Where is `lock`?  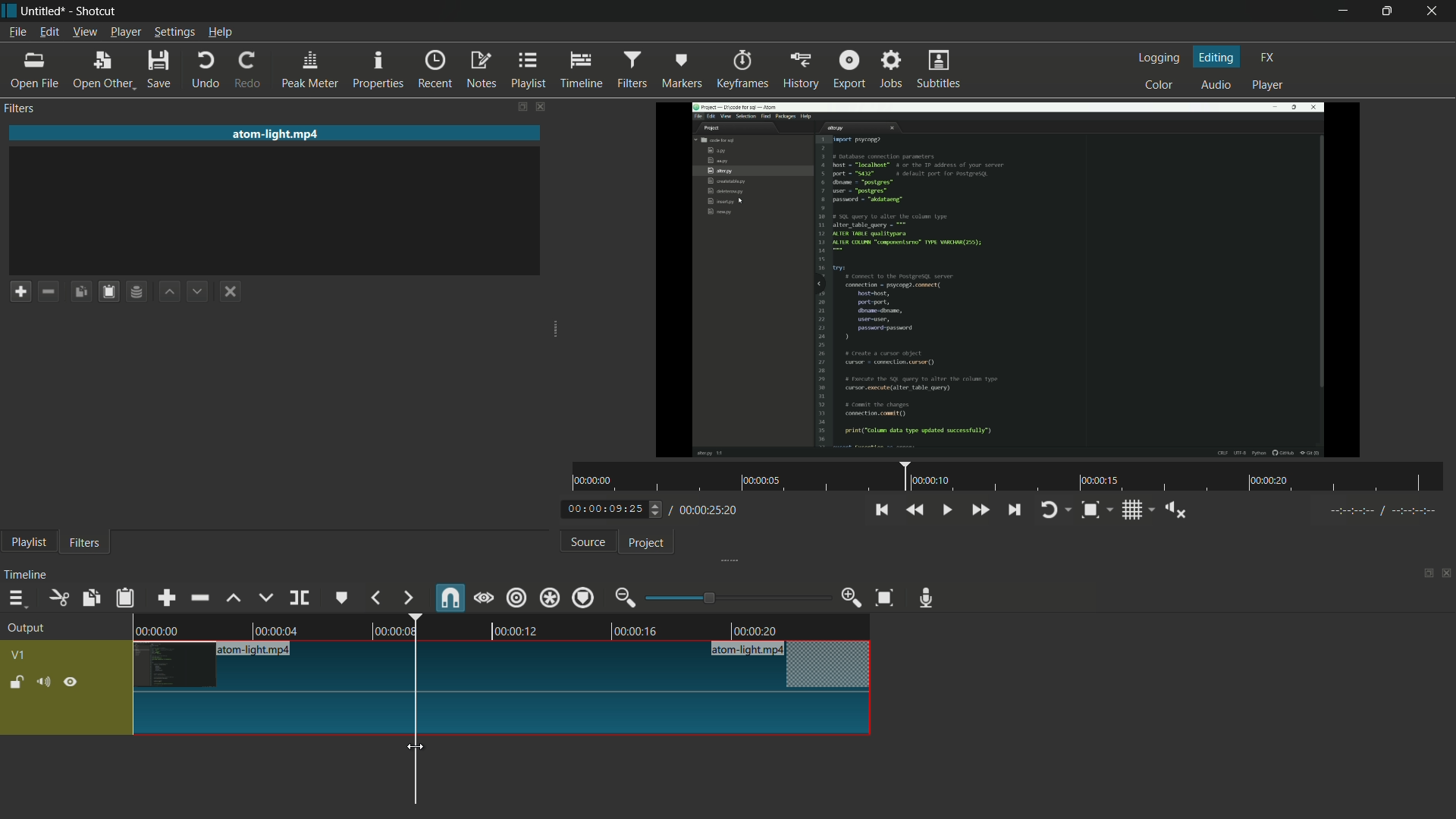
lock is located at coordinates (17, 683).